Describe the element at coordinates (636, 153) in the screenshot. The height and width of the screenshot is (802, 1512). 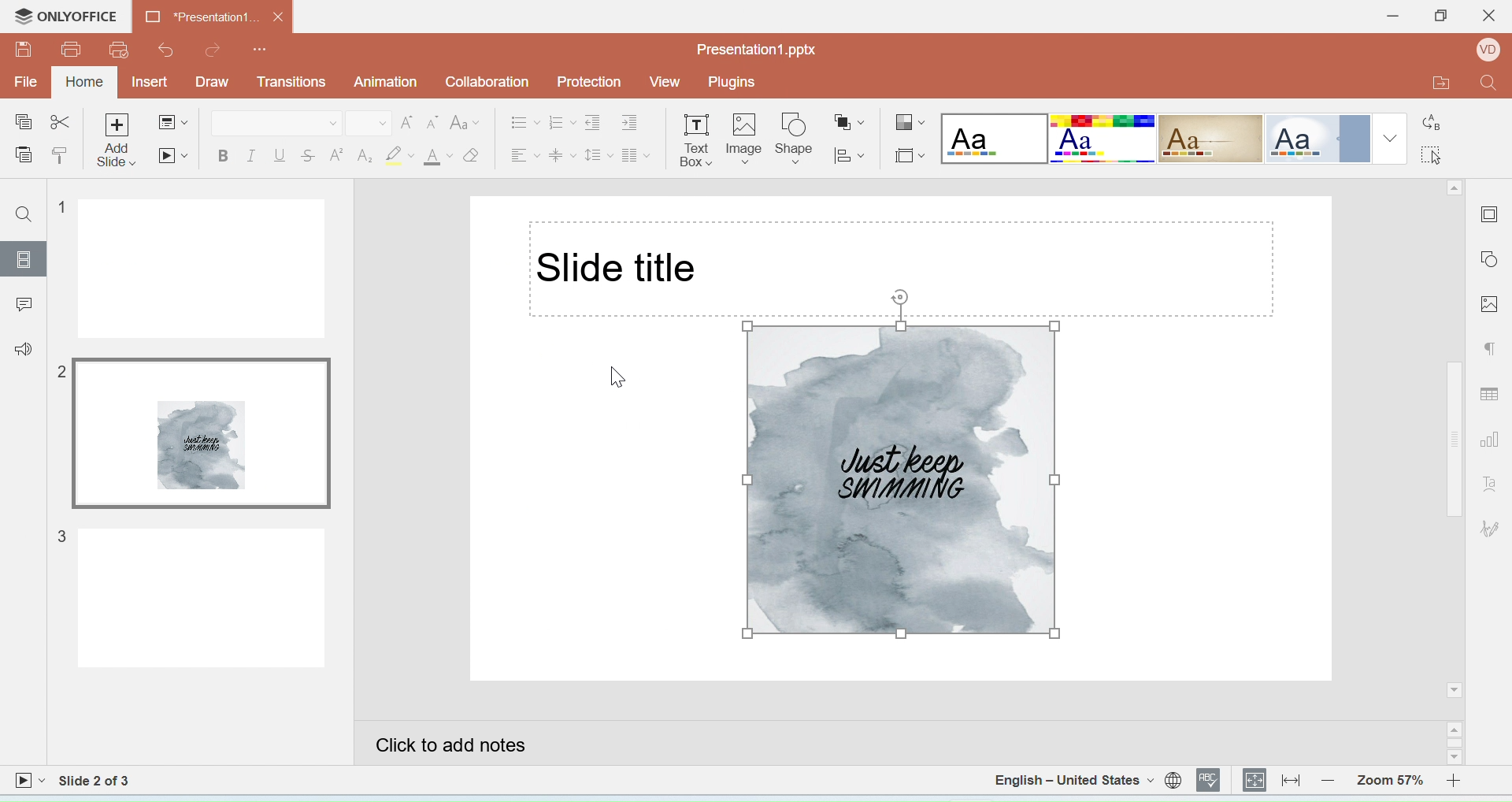
I see `Insert columns` at that location.